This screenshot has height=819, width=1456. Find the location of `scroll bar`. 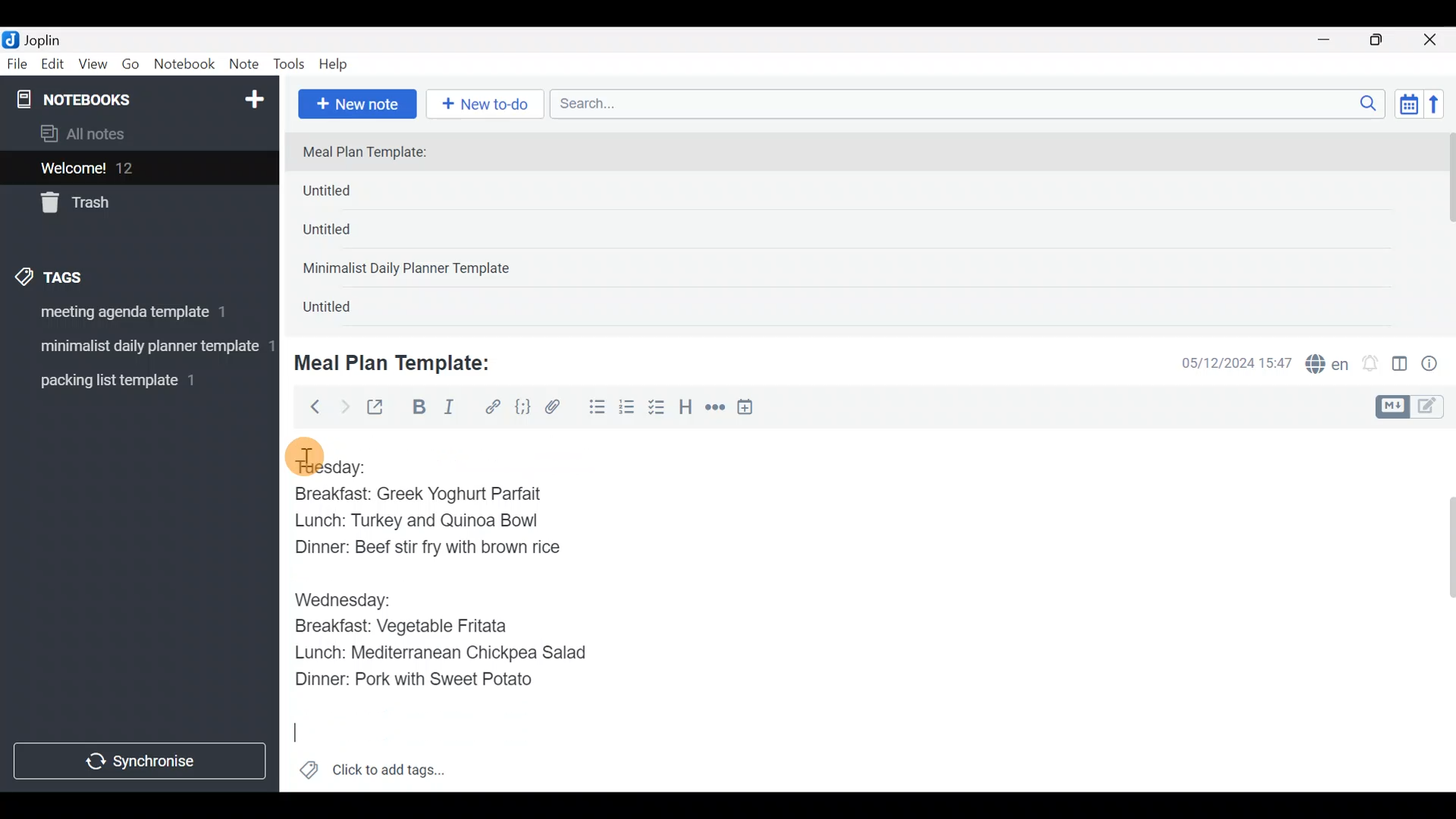

scroll bar is located at coordinates (1446, 229).